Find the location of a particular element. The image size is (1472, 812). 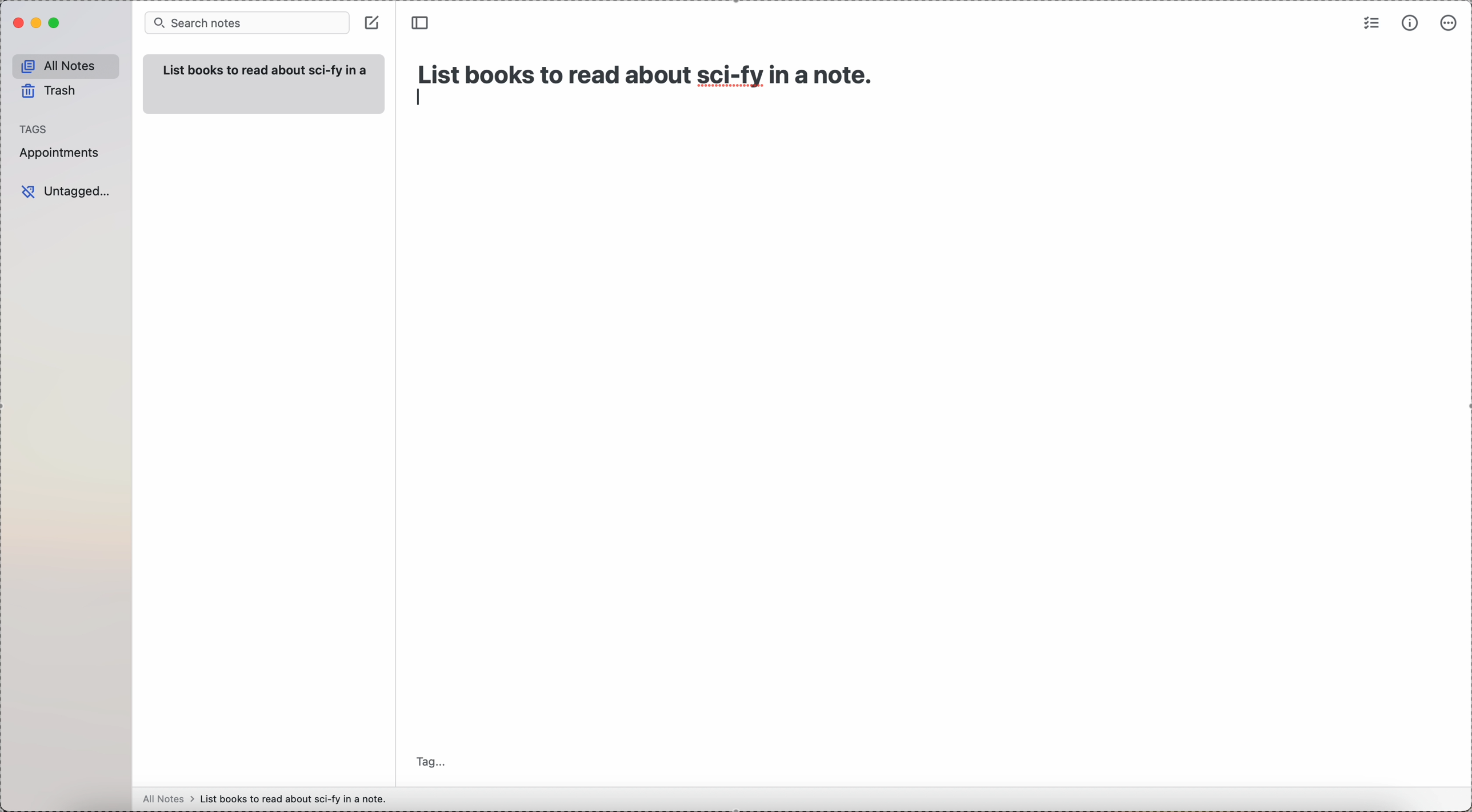

title: List books to read about sci-fy in a note. is located at coordinates (648, 71).